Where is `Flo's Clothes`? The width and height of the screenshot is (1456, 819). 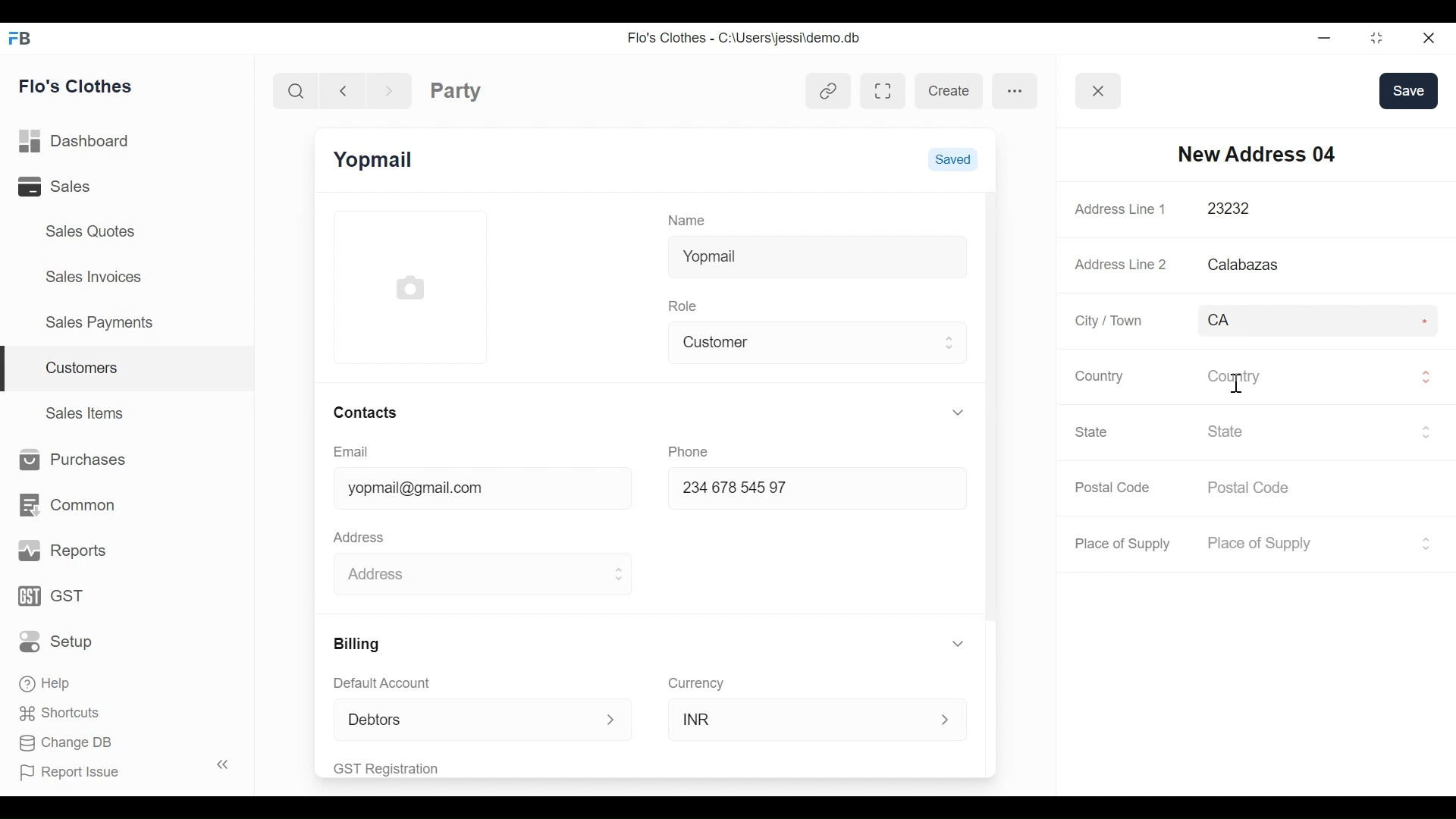
Flo's Clothes is located at coordinates (78, 86).